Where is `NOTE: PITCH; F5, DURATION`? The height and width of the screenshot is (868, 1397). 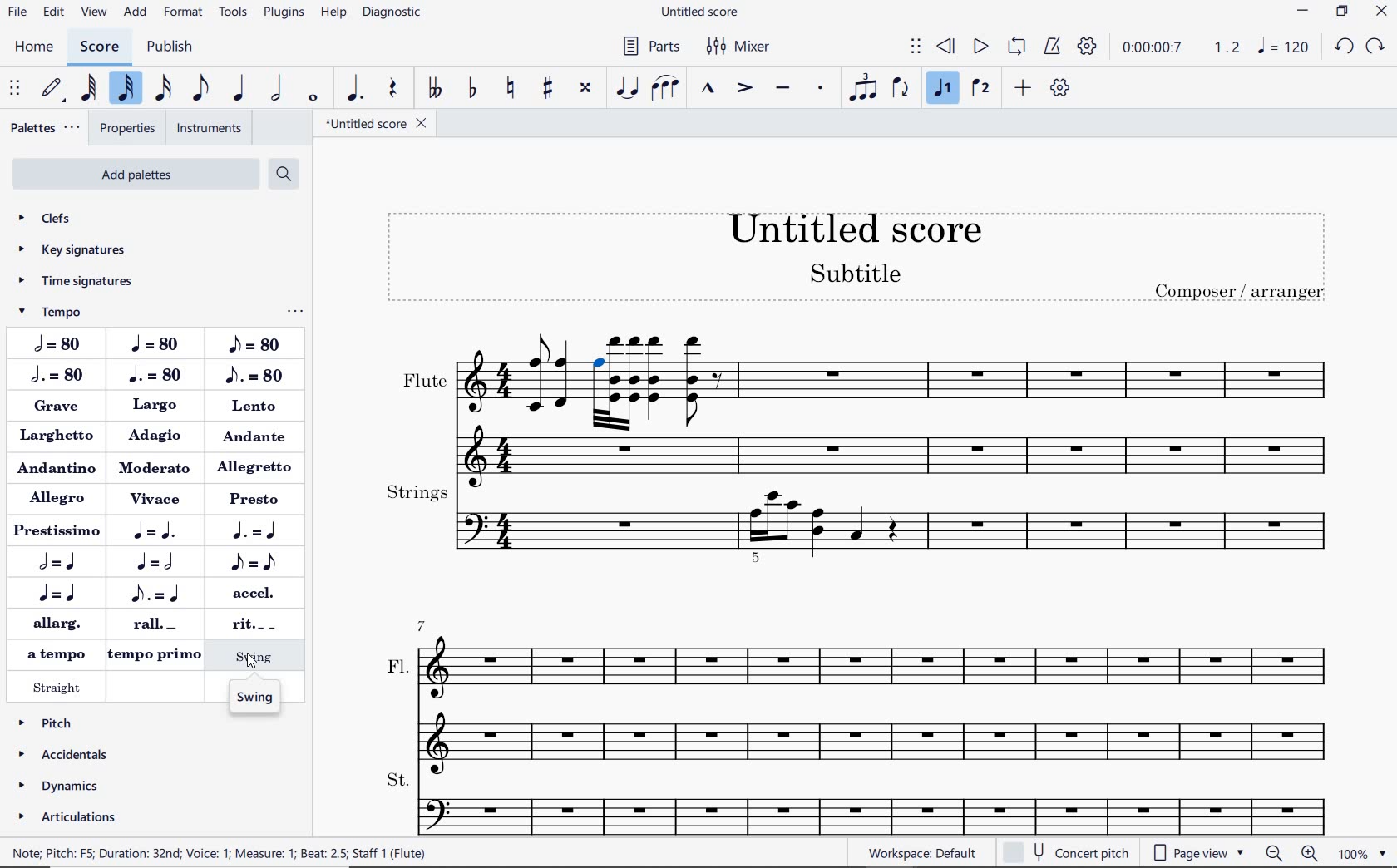 NOTE: PITCH; F5, DURATION is located at coordinates (228, 854).